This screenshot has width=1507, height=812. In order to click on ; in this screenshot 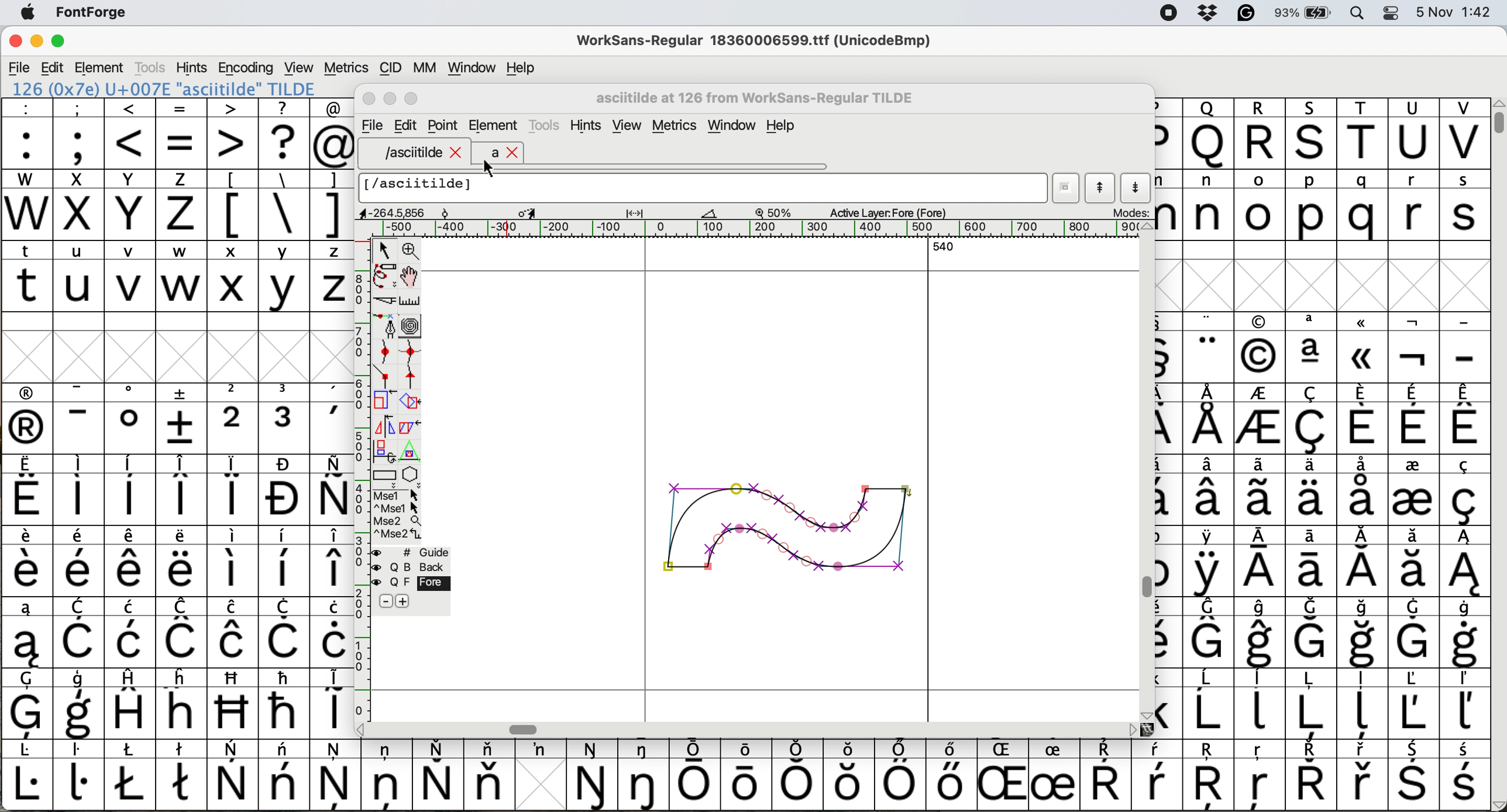, I will do `click(79, 132)`.